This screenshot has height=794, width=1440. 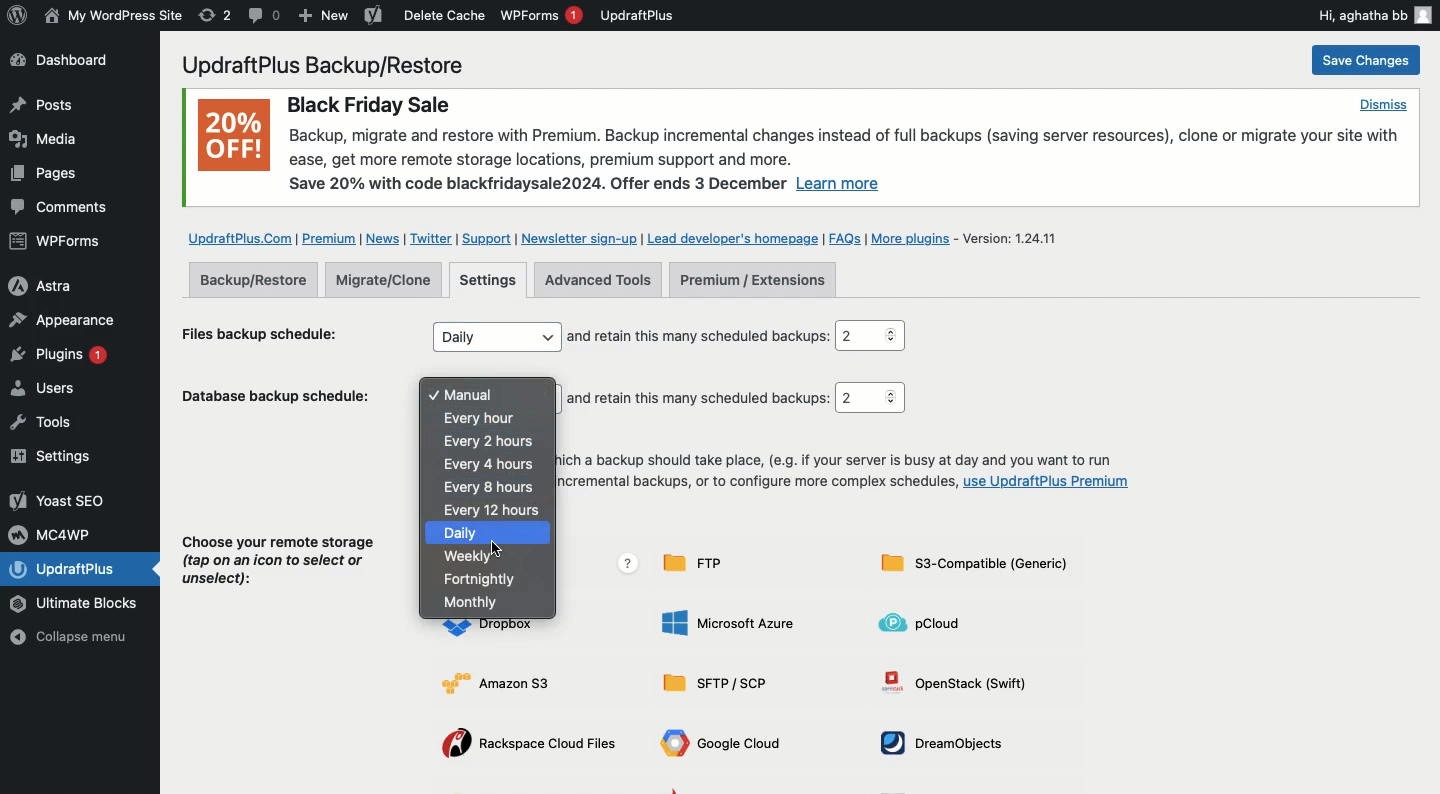 I want to click on Rackspace cloud files, so click(x=534, y=745).